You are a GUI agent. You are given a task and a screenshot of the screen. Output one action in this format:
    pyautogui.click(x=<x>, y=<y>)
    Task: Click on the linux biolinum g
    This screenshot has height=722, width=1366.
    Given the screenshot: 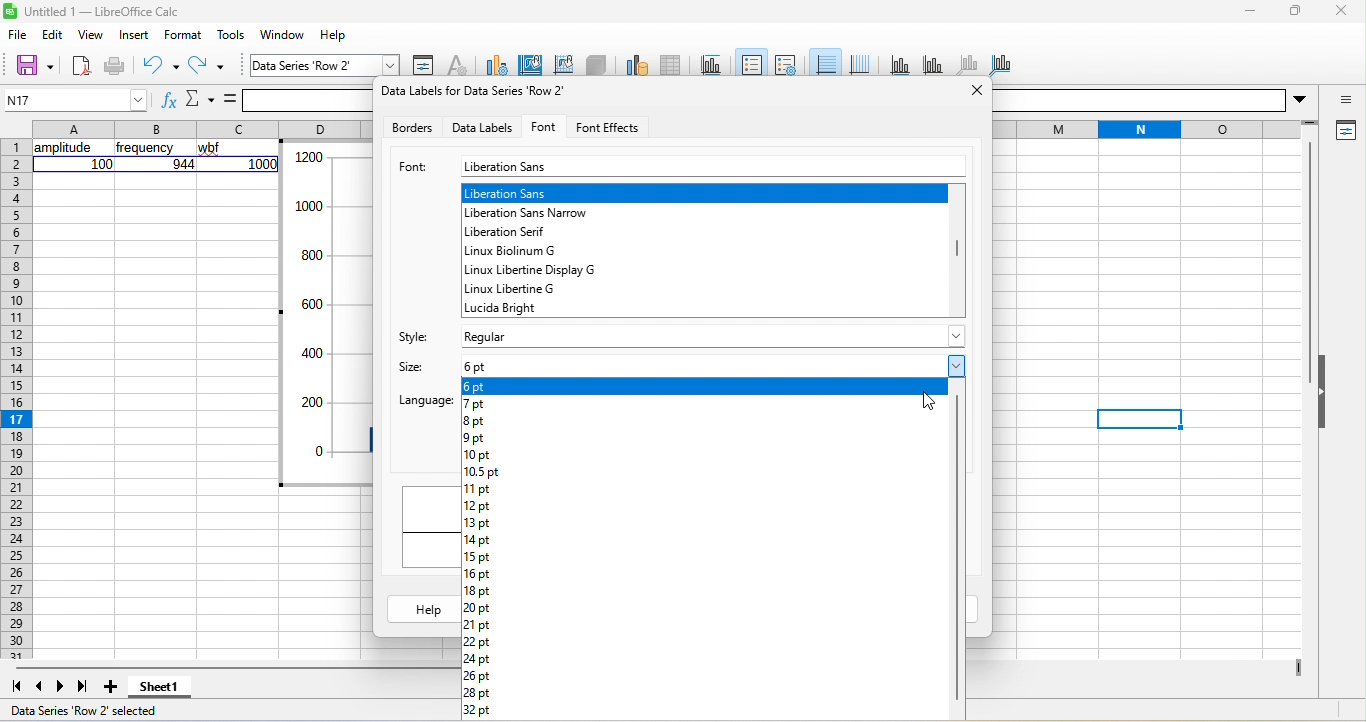 What is the action you would take?
    pyautogui.click(x=527, y=252)
    